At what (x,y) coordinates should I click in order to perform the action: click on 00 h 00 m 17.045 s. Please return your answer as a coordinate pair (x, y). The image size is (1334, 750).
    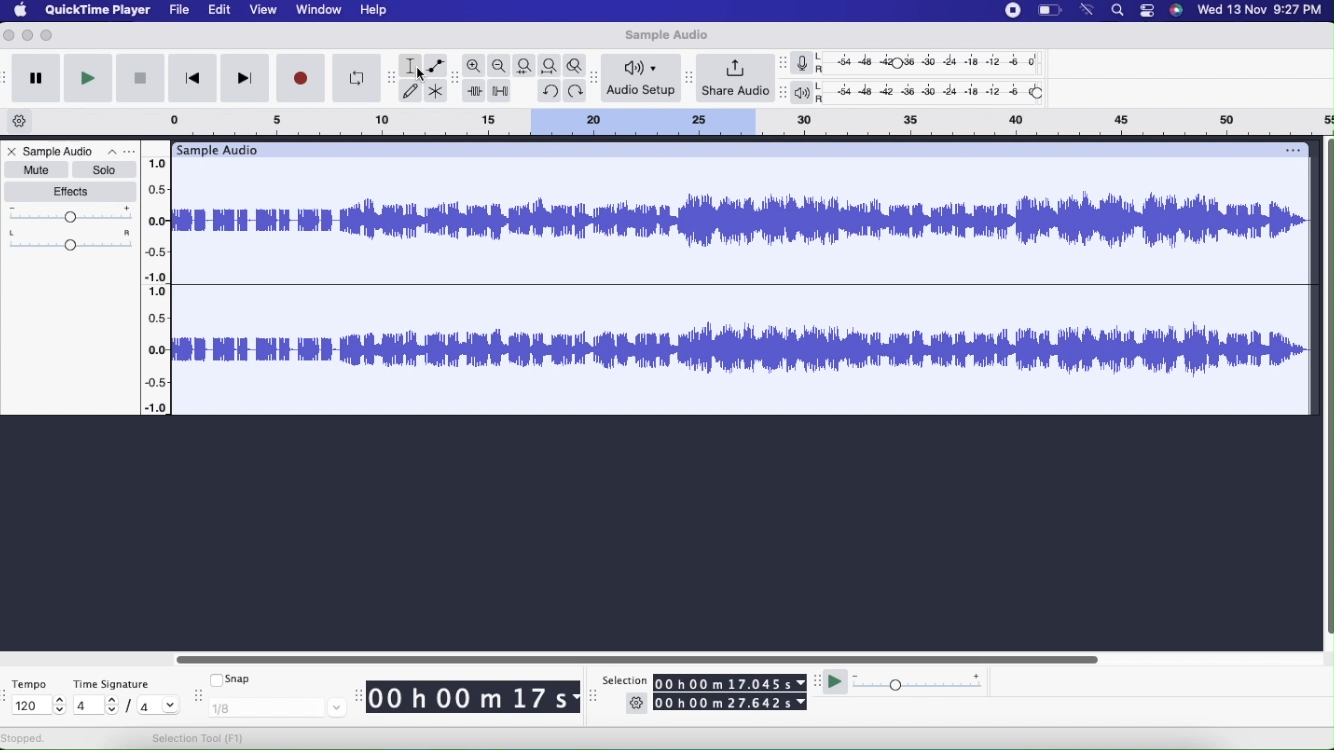
    Looking at the image, I should click on (730, 683).